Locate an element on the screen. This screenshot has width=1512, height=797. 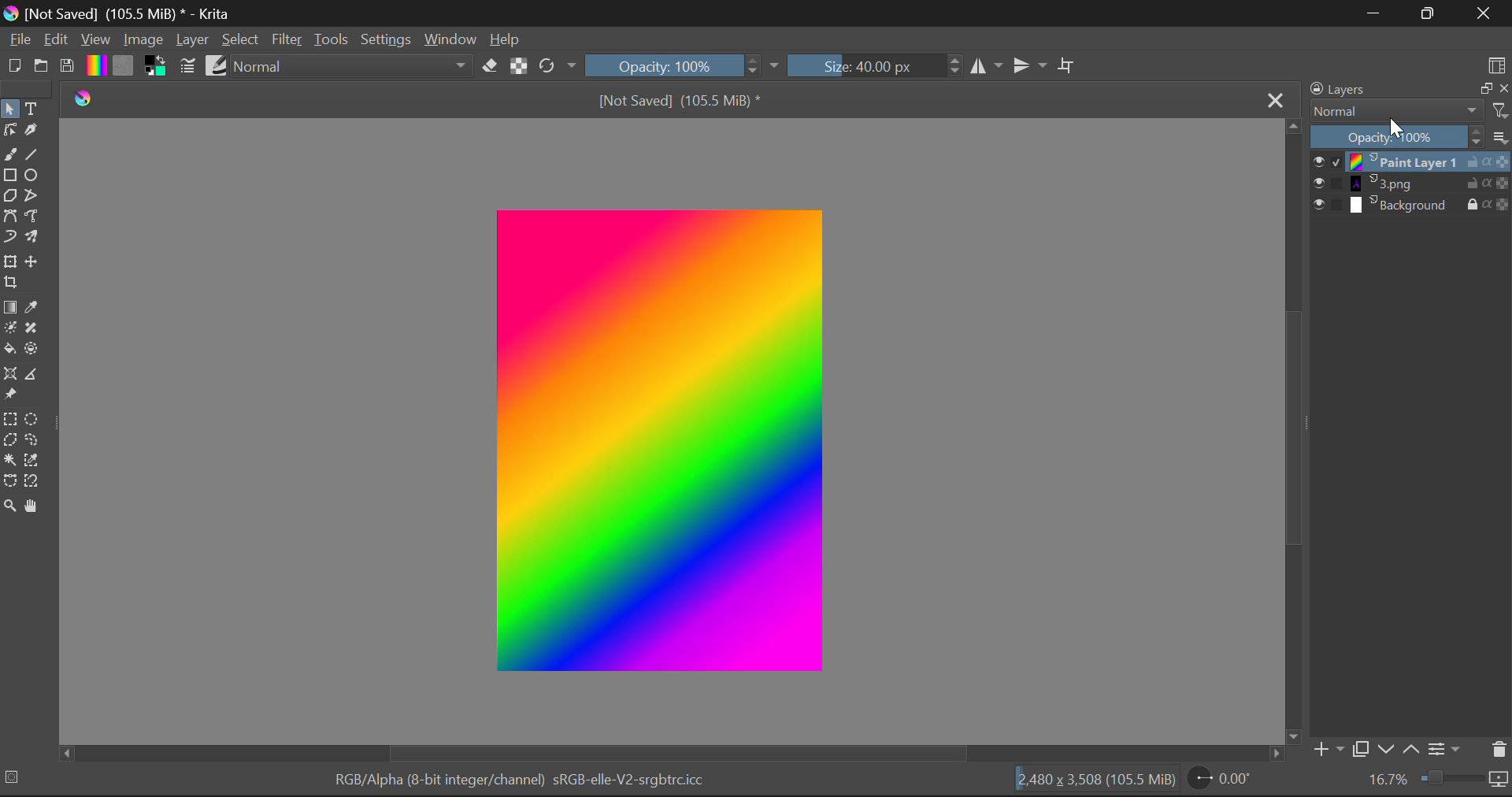
Freehand Path Tool is located at coordinates (30, 217).